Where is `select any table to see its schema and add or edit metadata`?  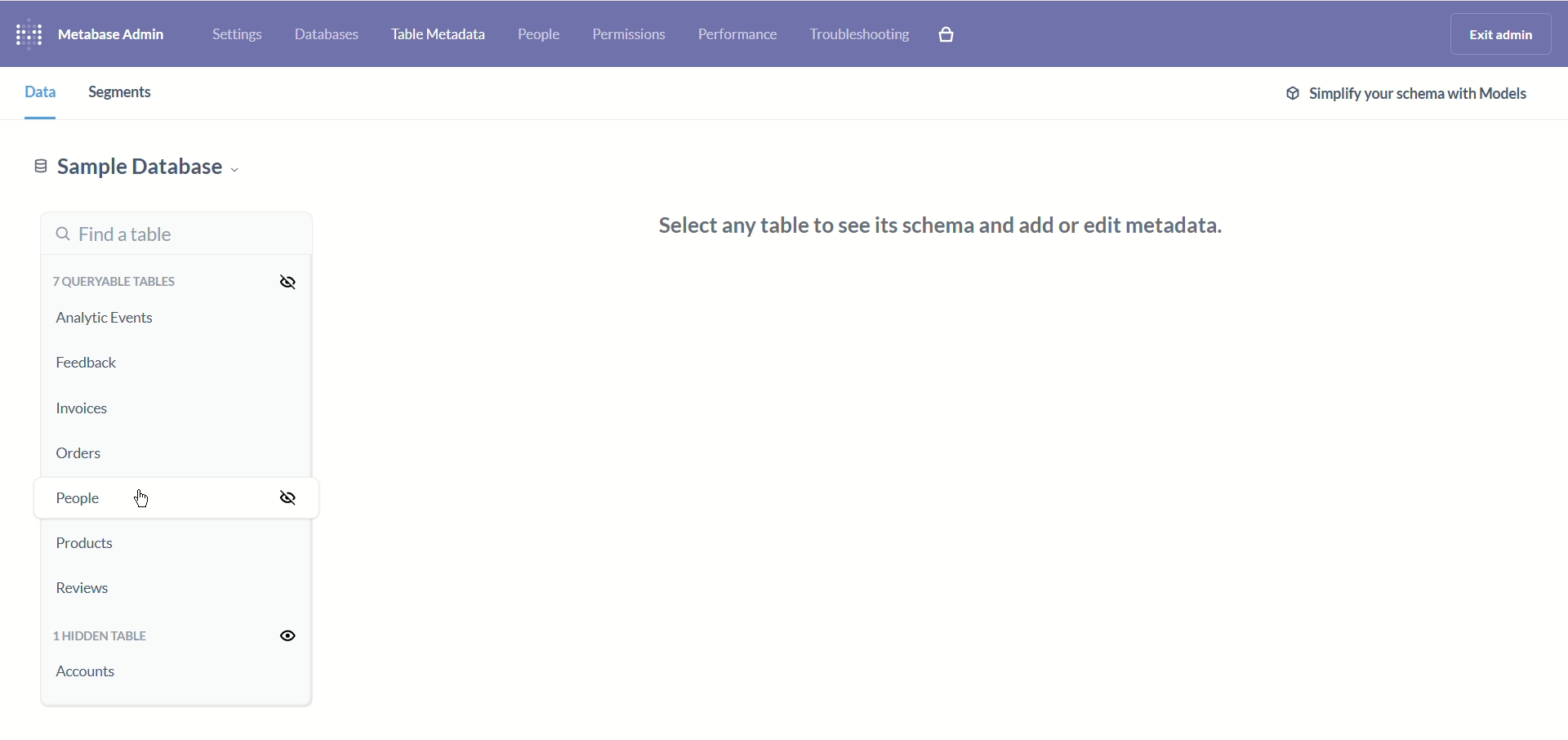
select any table to see its schema and add or edit metadata is located at coordinates (935, 224).